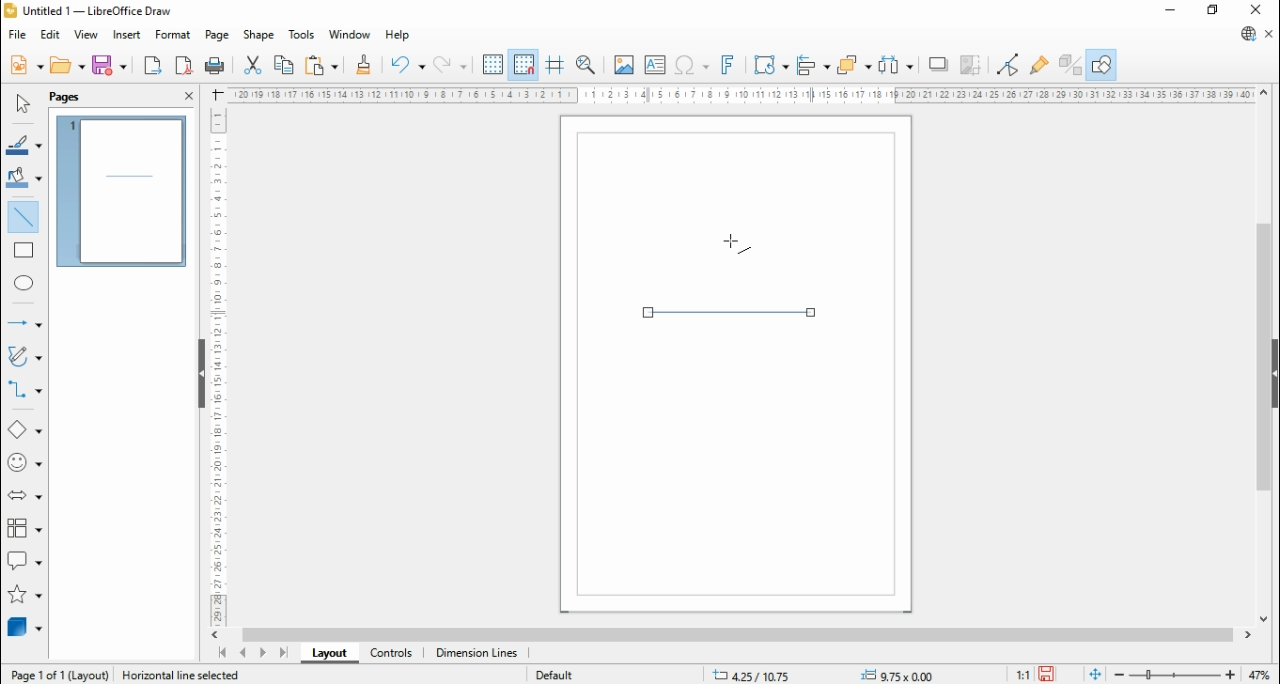 This screenshot has height=684, width=1280. What do you see at coordinates (24, 463) in the screenshot?
I see `symbol shapes` at bounding box center [24, 463].